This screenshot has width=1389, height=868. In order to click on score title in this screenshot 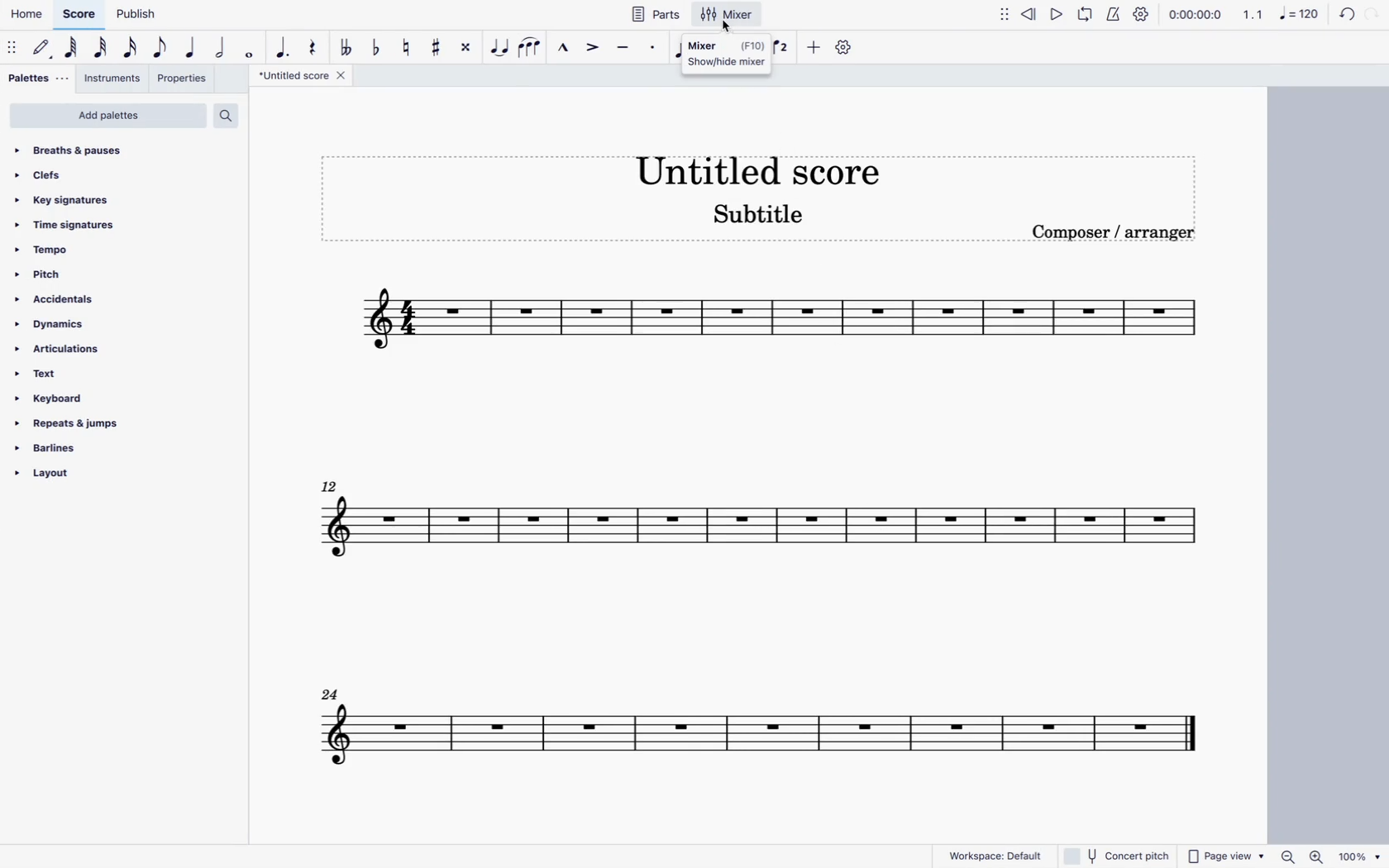, I will do `click(305, 75)`.